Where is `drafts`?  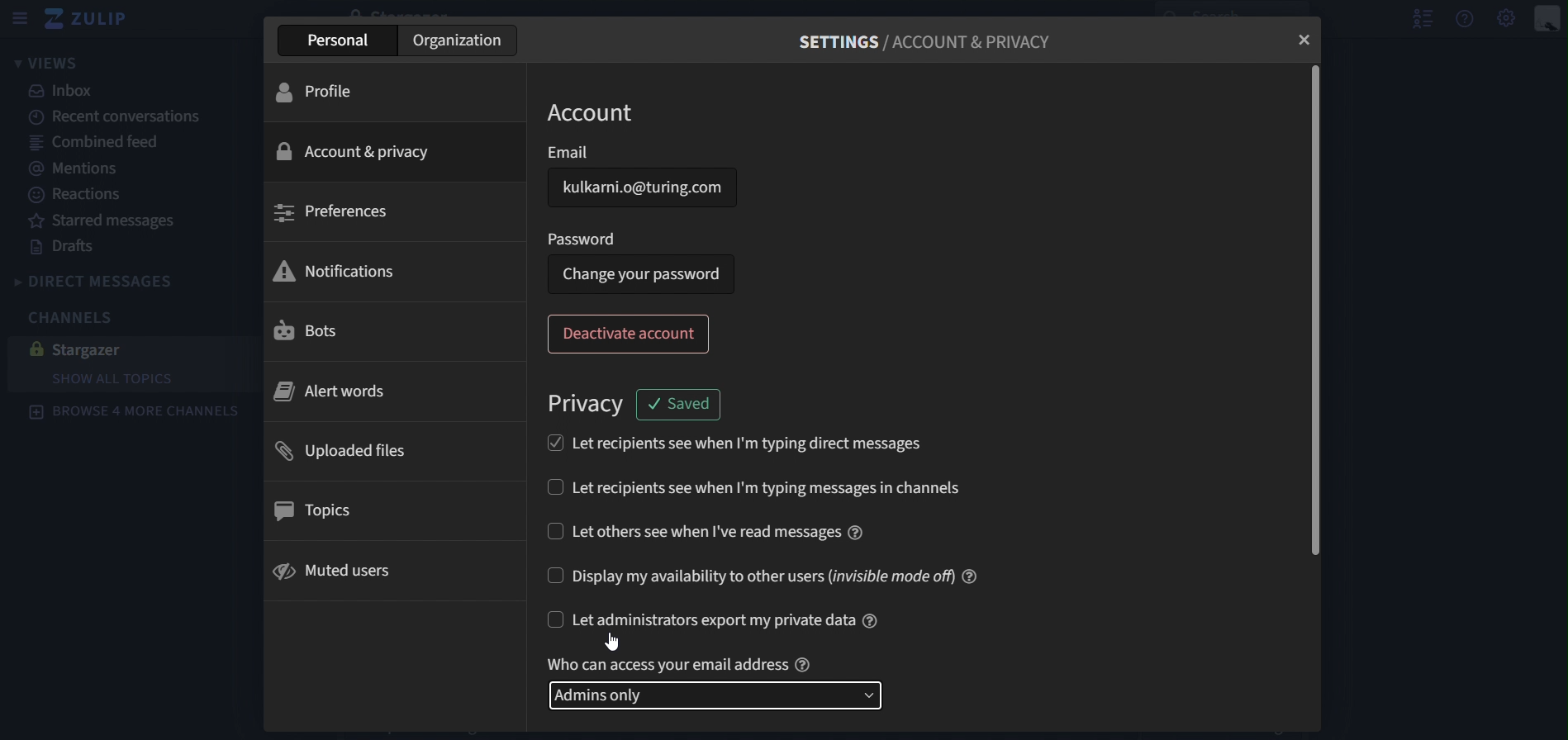 drafts is located at coordinates (64, 246).